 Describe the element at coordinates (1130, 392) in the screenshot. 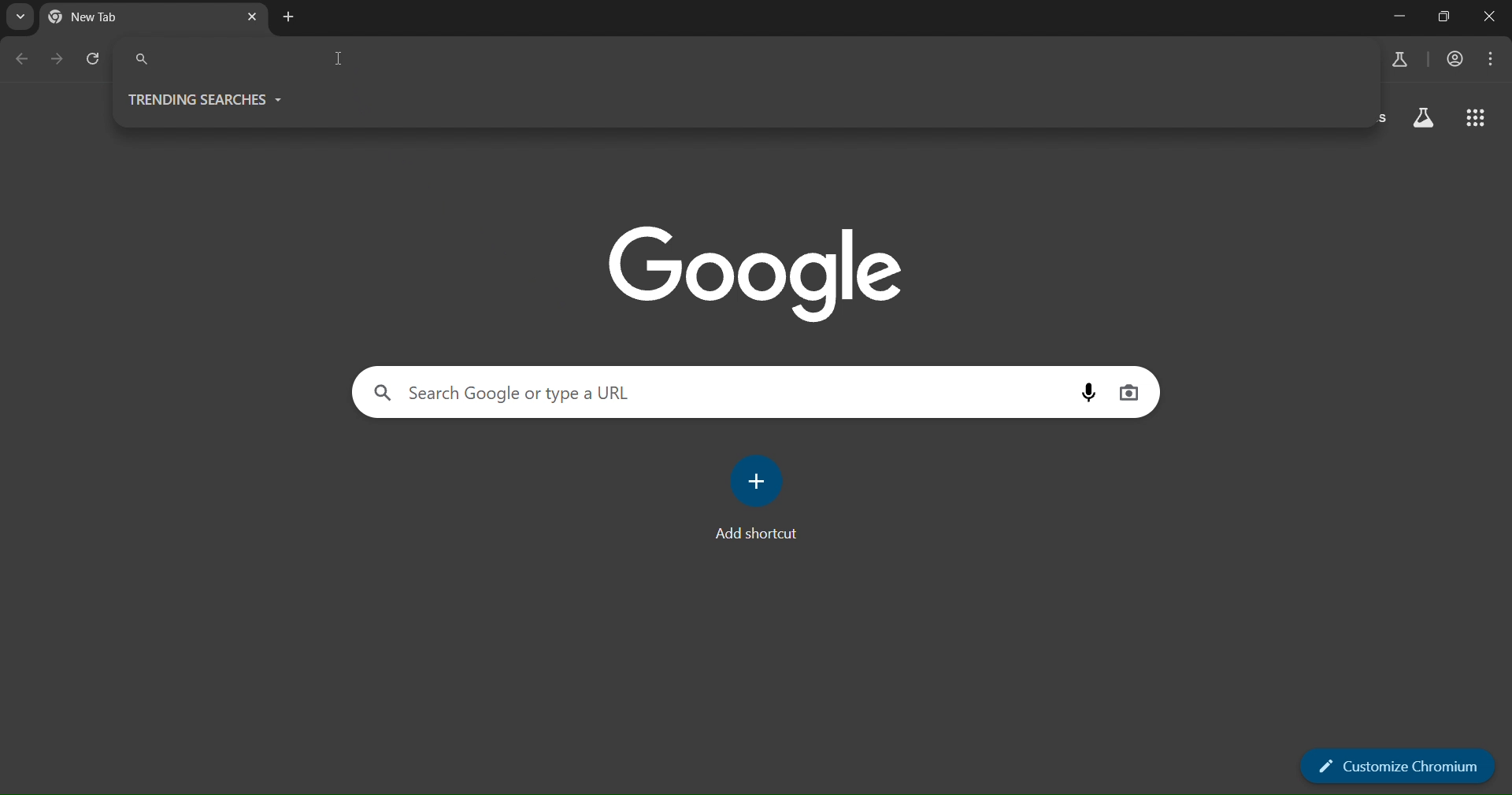

I see `image search` at that location.